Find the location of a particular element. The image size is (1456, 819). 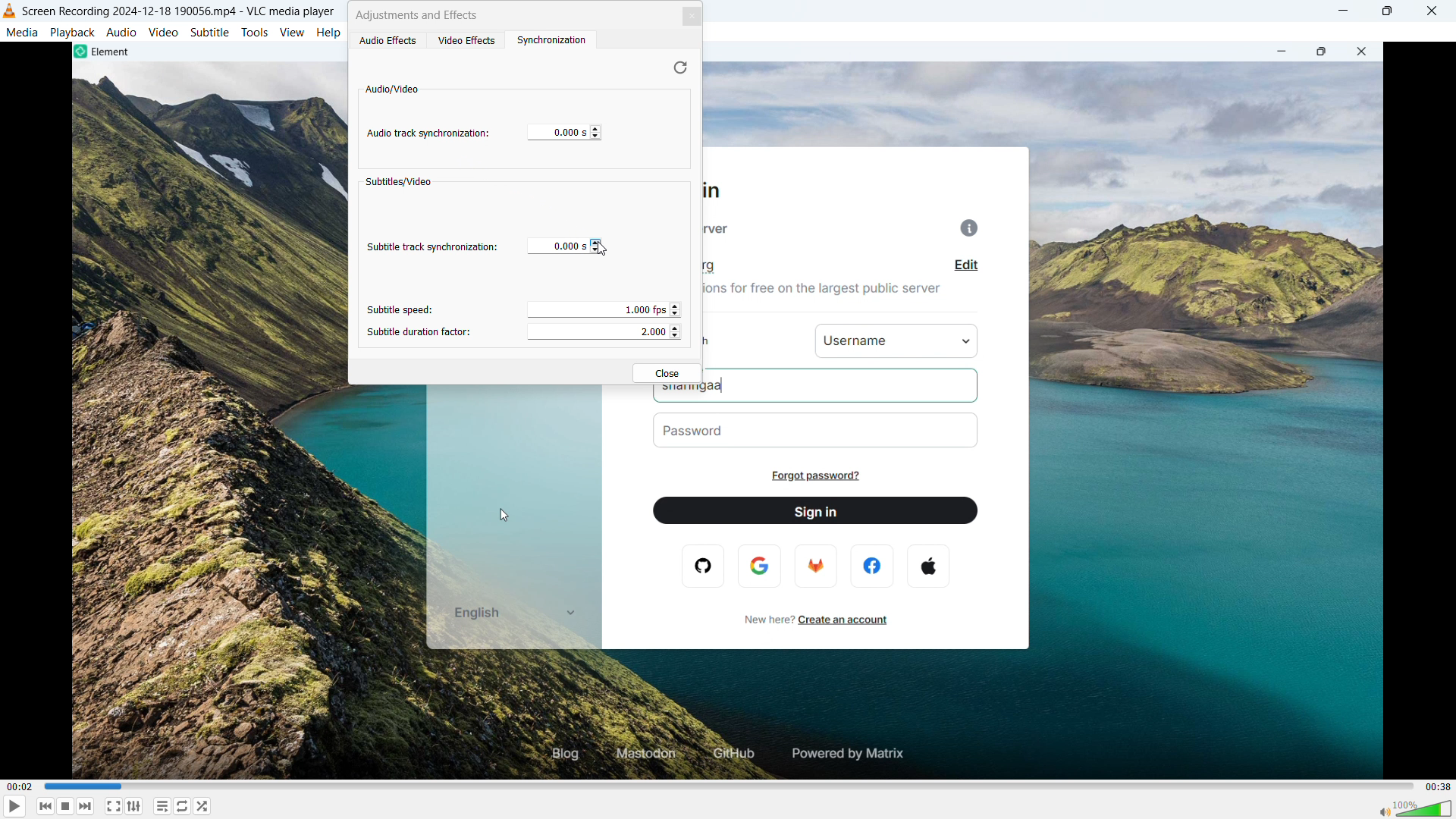

synchronization is located at coordinates (549, 41).